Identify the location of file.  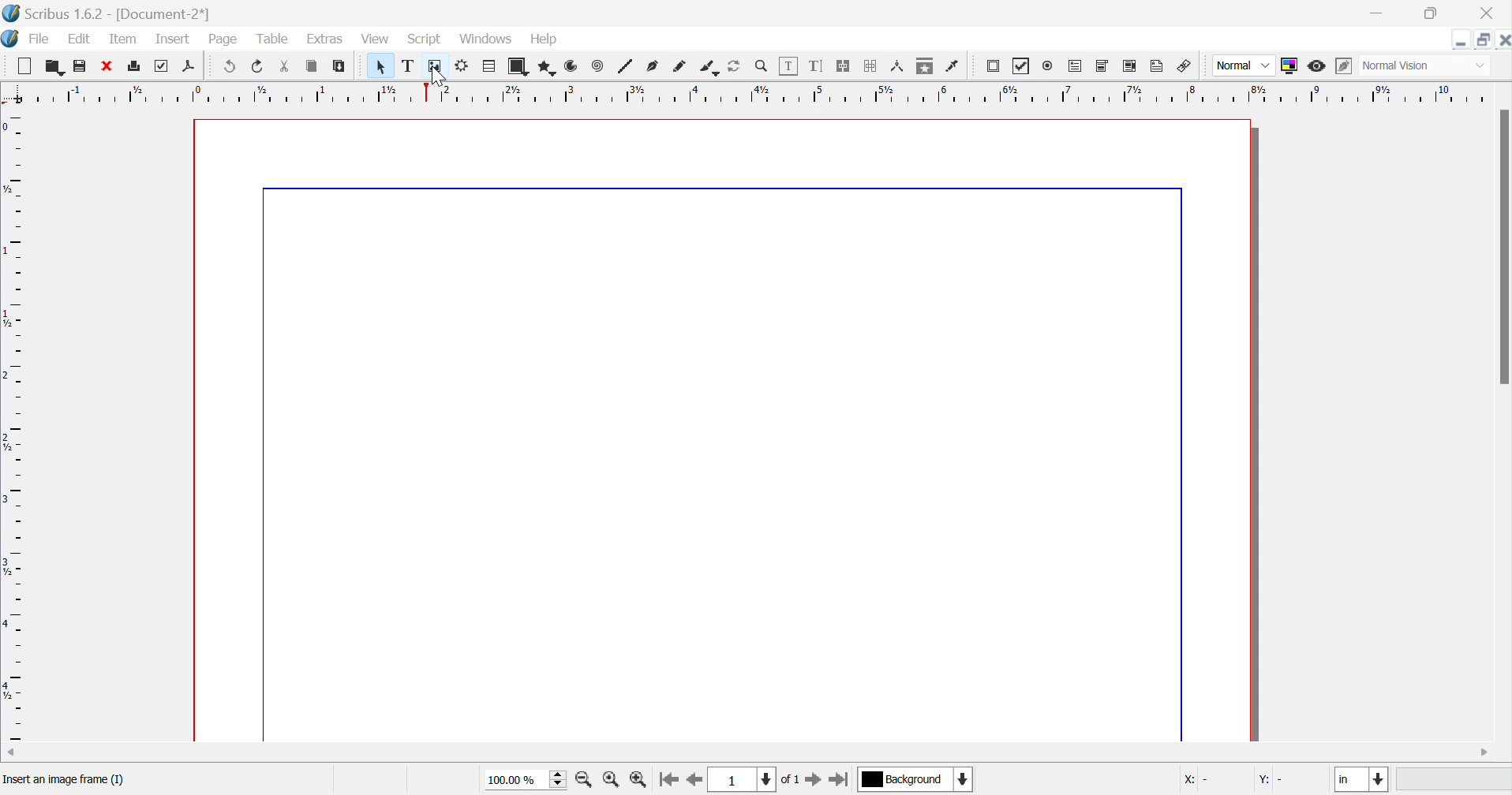
(39, 38).